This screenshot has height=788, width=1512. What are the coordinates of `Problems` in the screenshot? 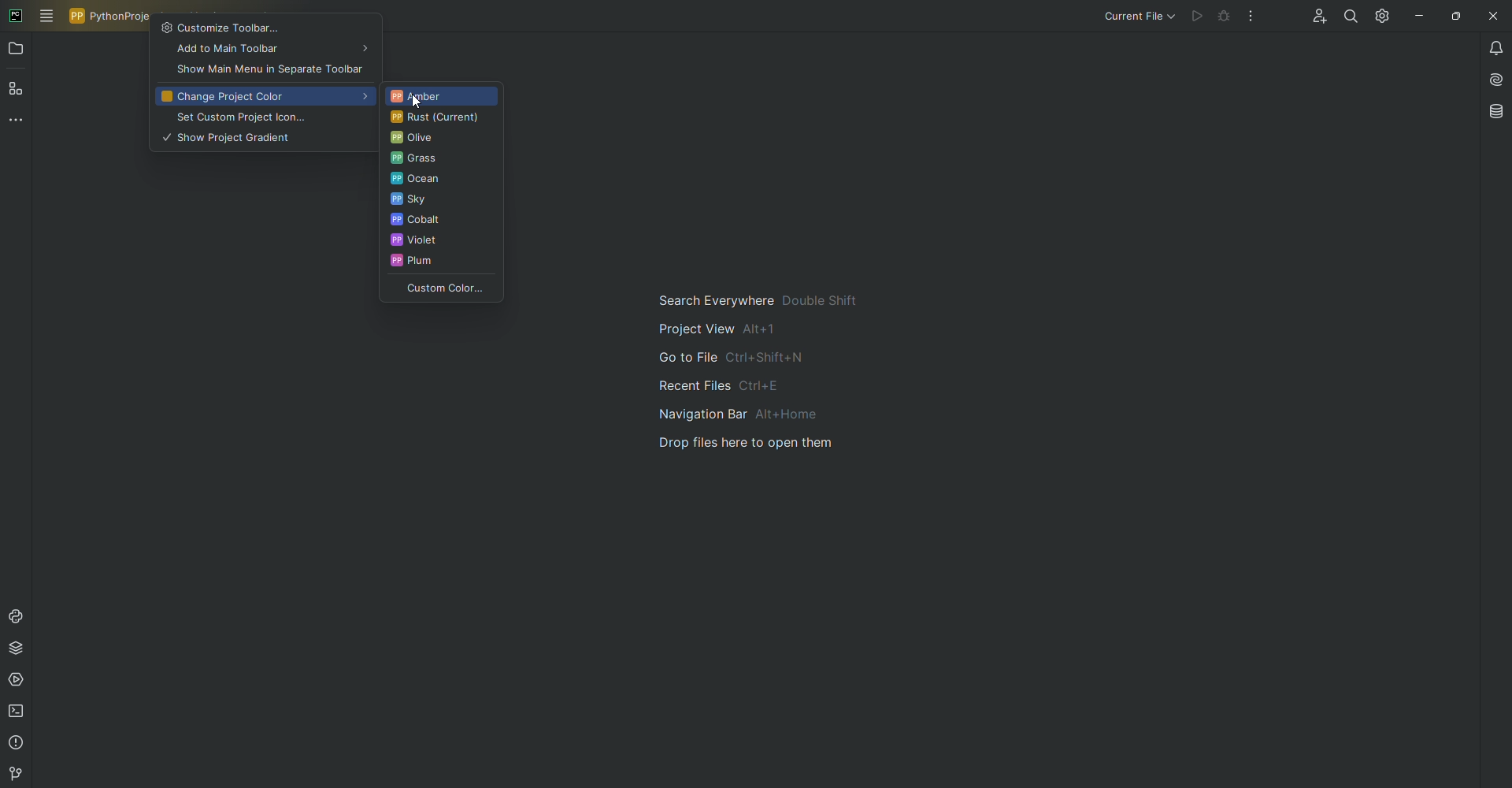 It's located at (17, 745).